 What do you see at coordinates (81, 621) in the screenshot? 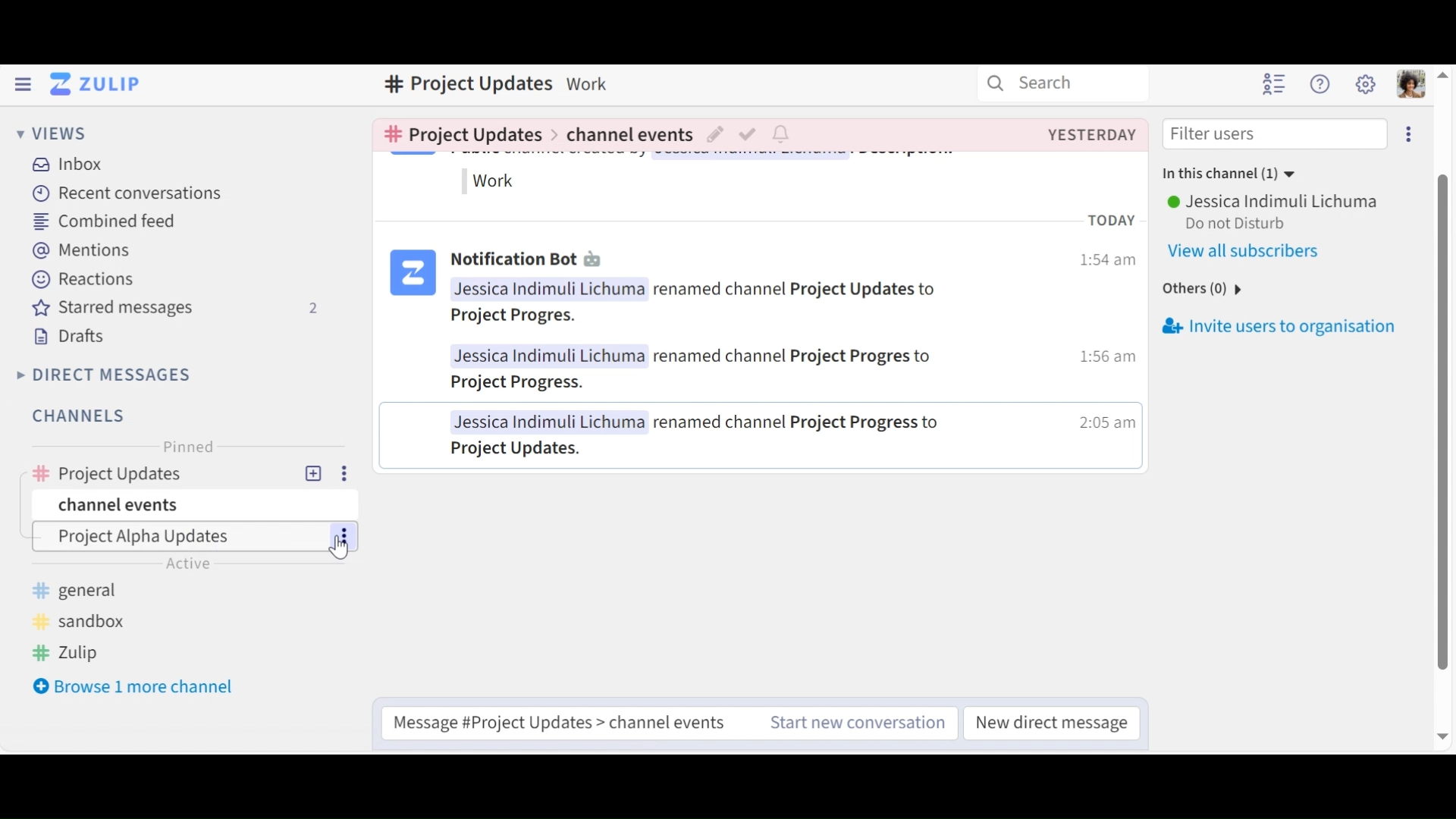
I see `sandbox` at bounding box center [81, 621].